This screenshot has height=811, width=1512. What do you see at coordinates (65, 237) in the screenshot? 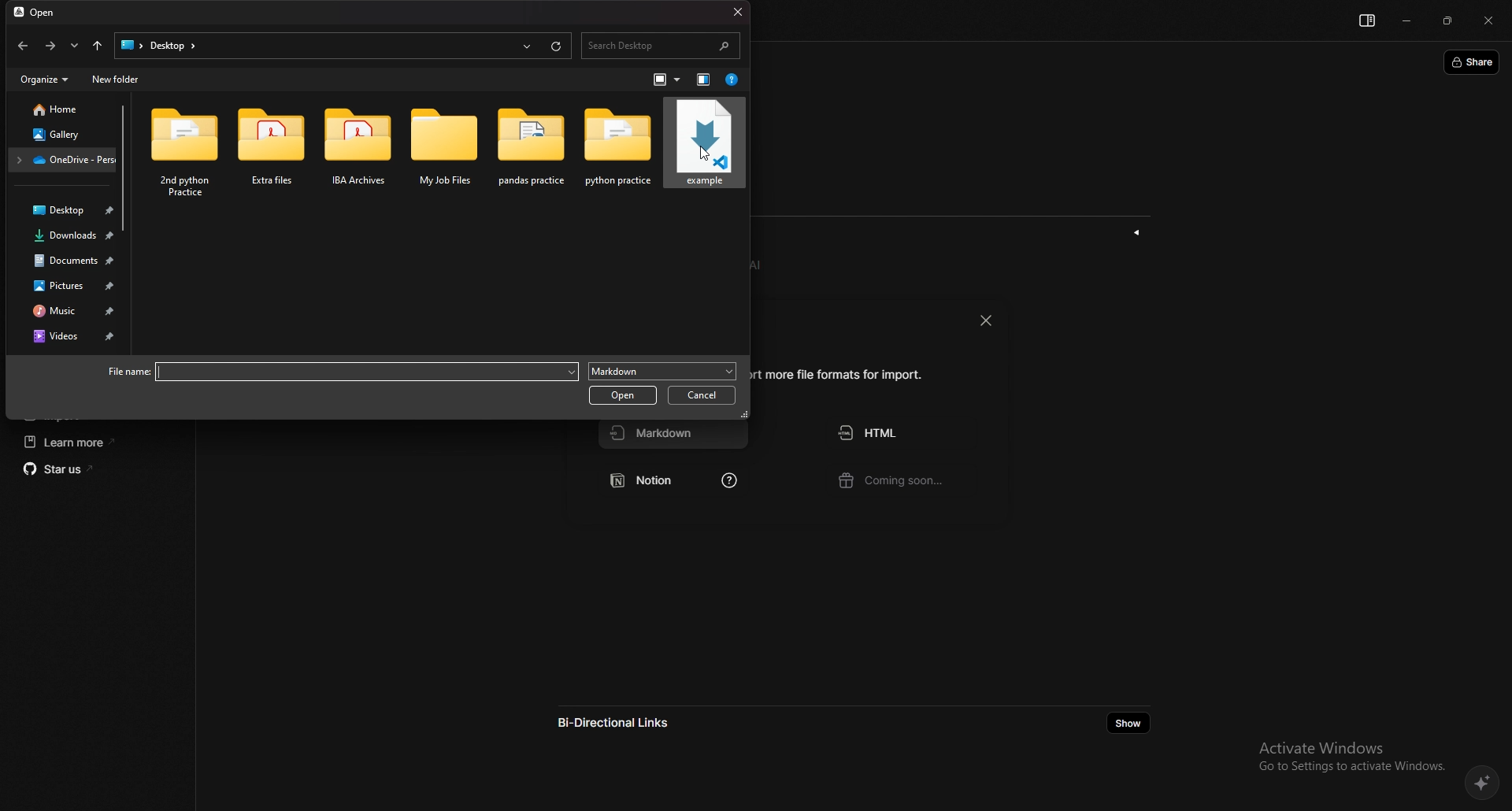
I see `downloads` at bounding box center [65, 237].